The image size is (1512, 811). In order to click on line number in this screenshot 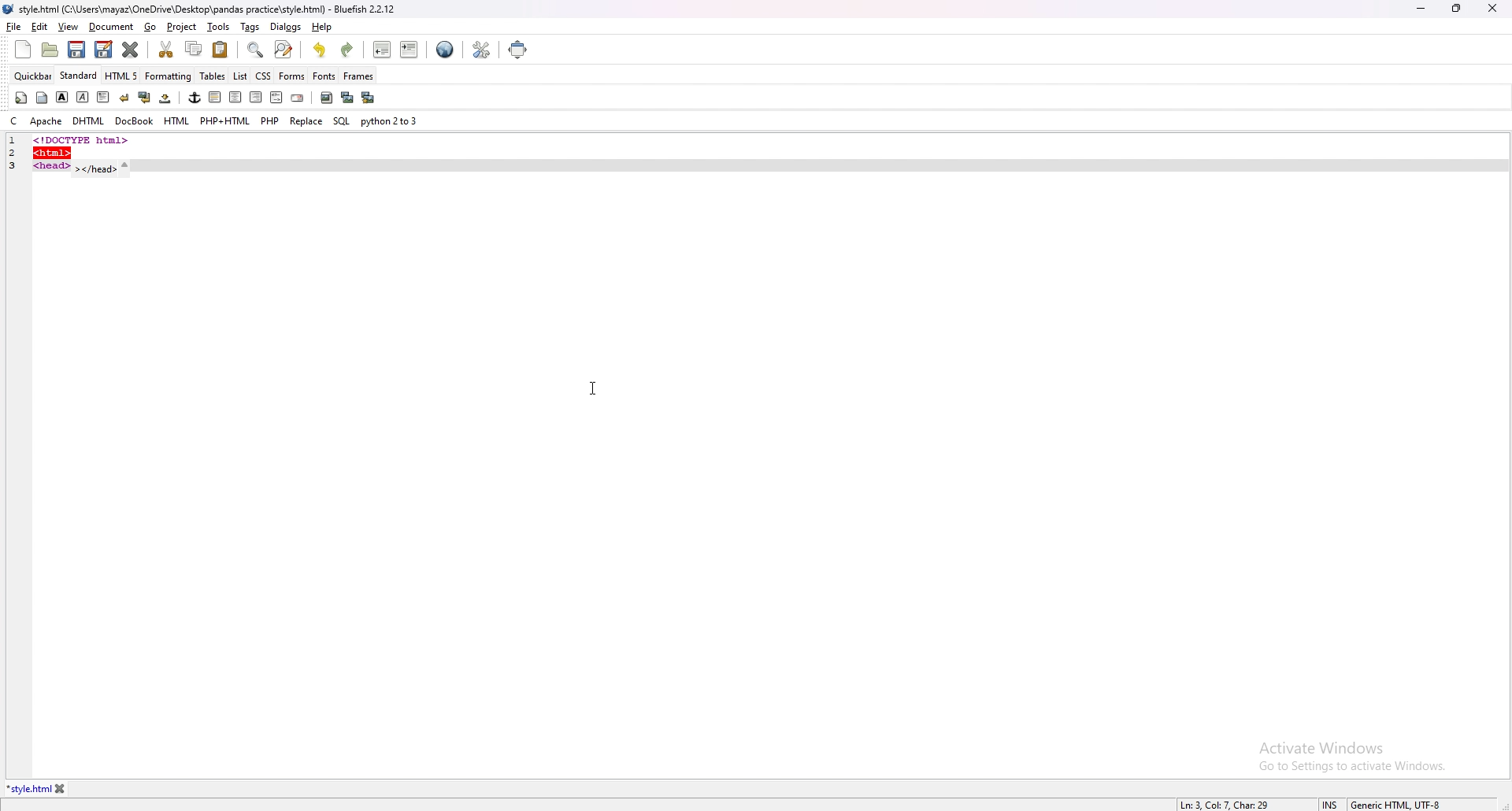, I will do `click(18, 152)`.